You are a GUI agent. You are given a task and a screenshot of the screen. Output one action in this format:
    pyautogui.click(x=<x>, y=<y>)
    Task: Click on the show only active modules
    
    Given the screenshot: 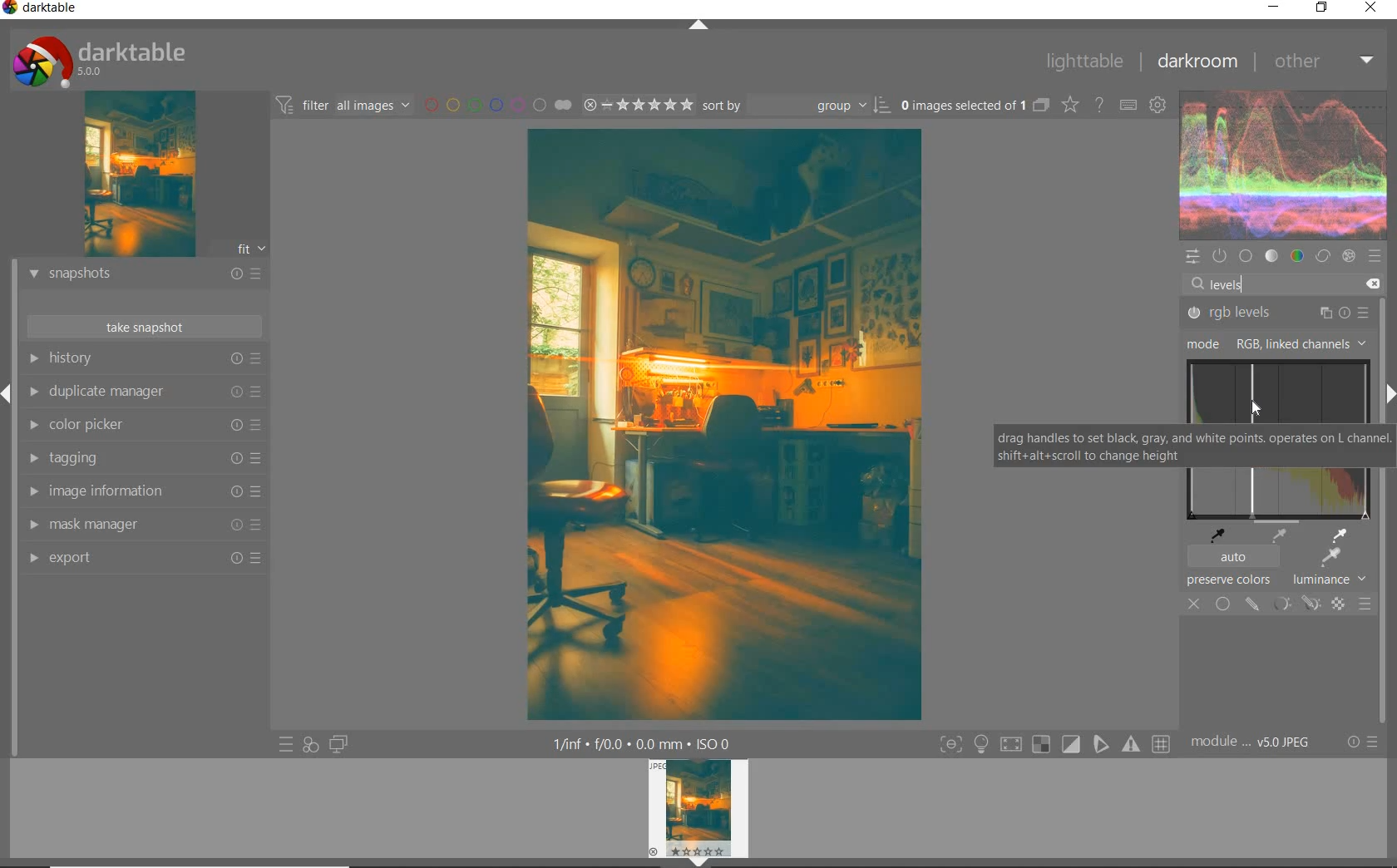 What is the action you would take?
    pyautogui.click(x=1219, y=255)
    